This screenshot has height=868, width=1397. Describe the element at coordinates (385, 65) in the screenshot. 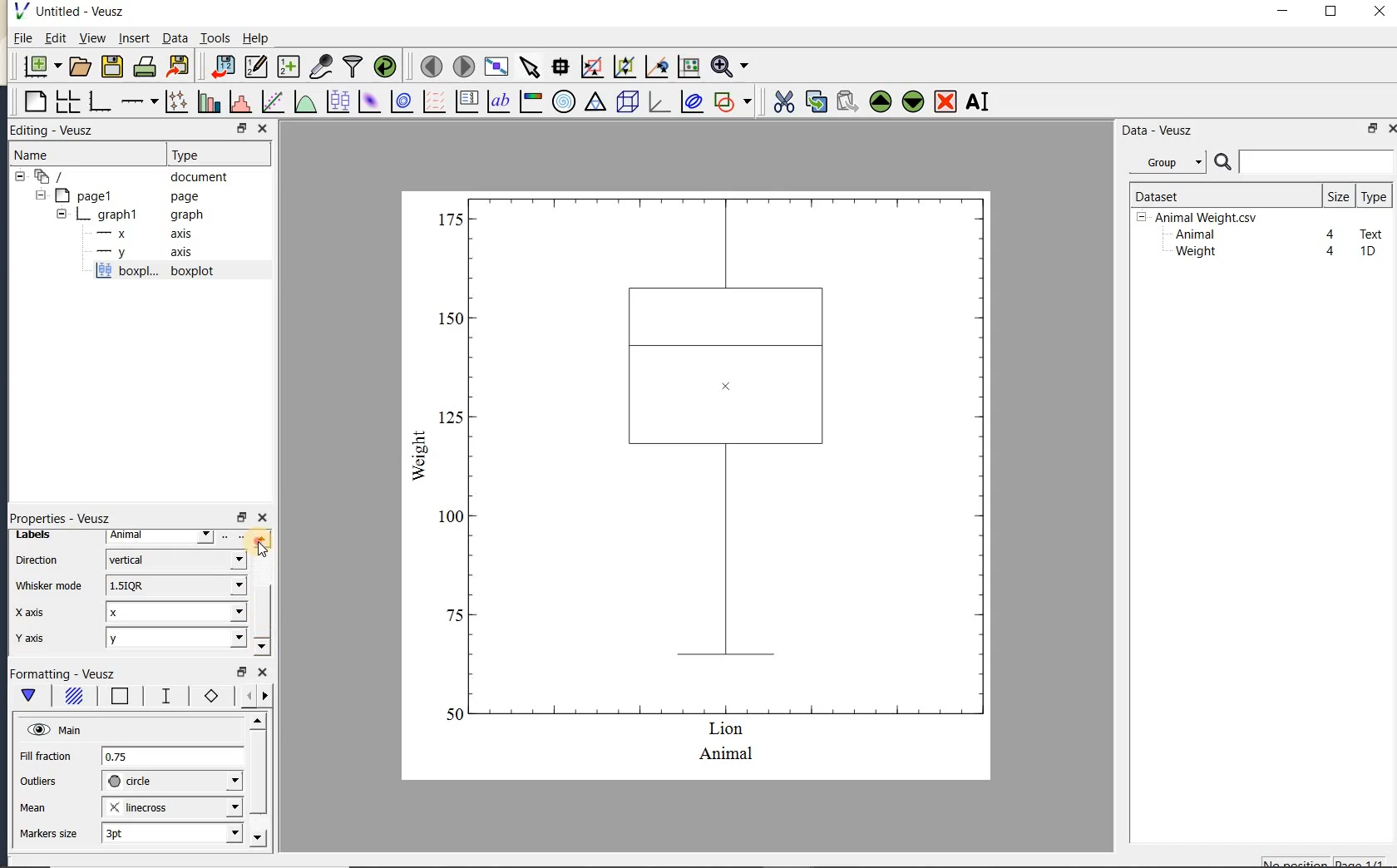

I see `reload linked datasets` at that location.